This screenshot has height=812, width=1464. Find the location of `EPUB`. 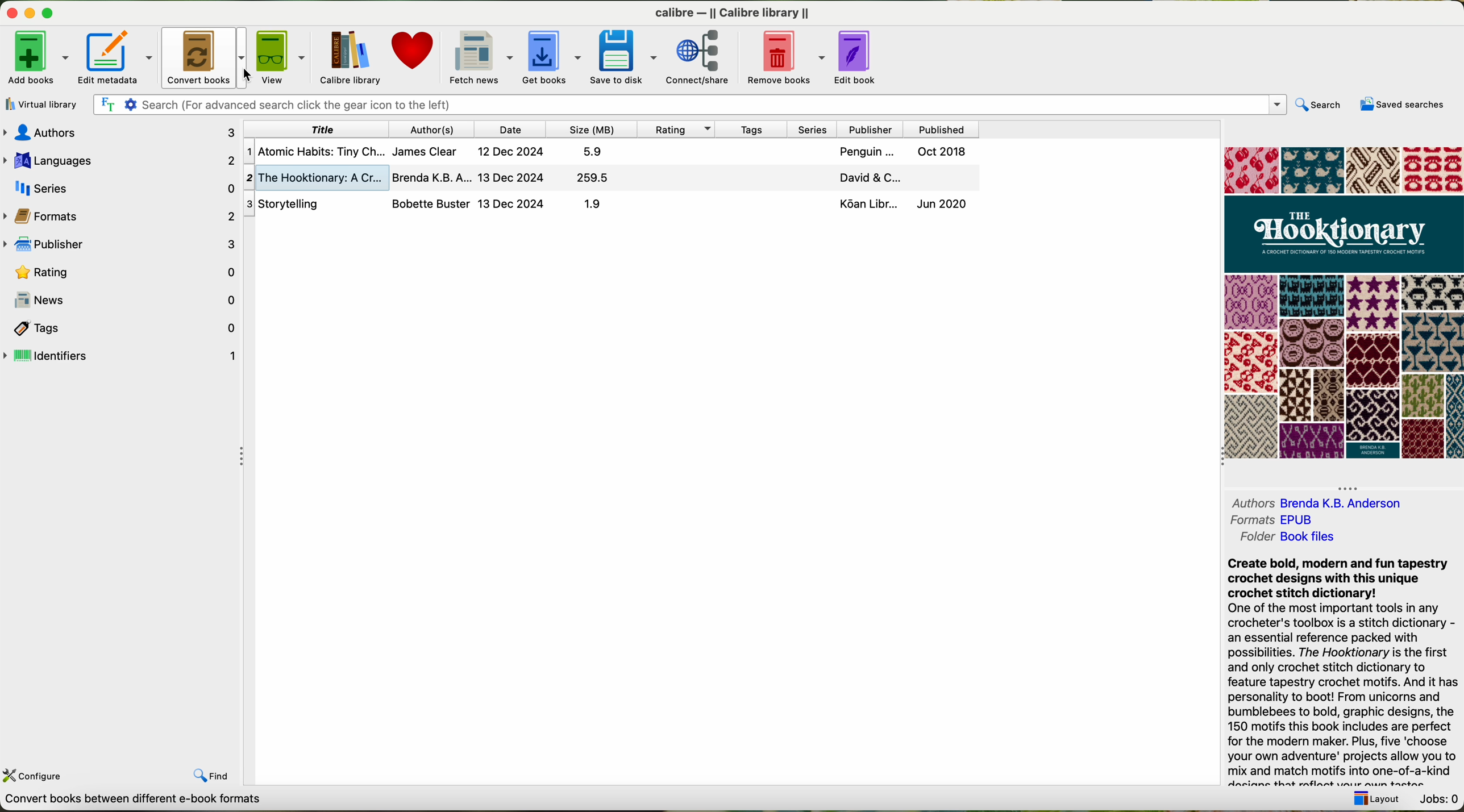

EPUB is located at coordinates (1314, 519).